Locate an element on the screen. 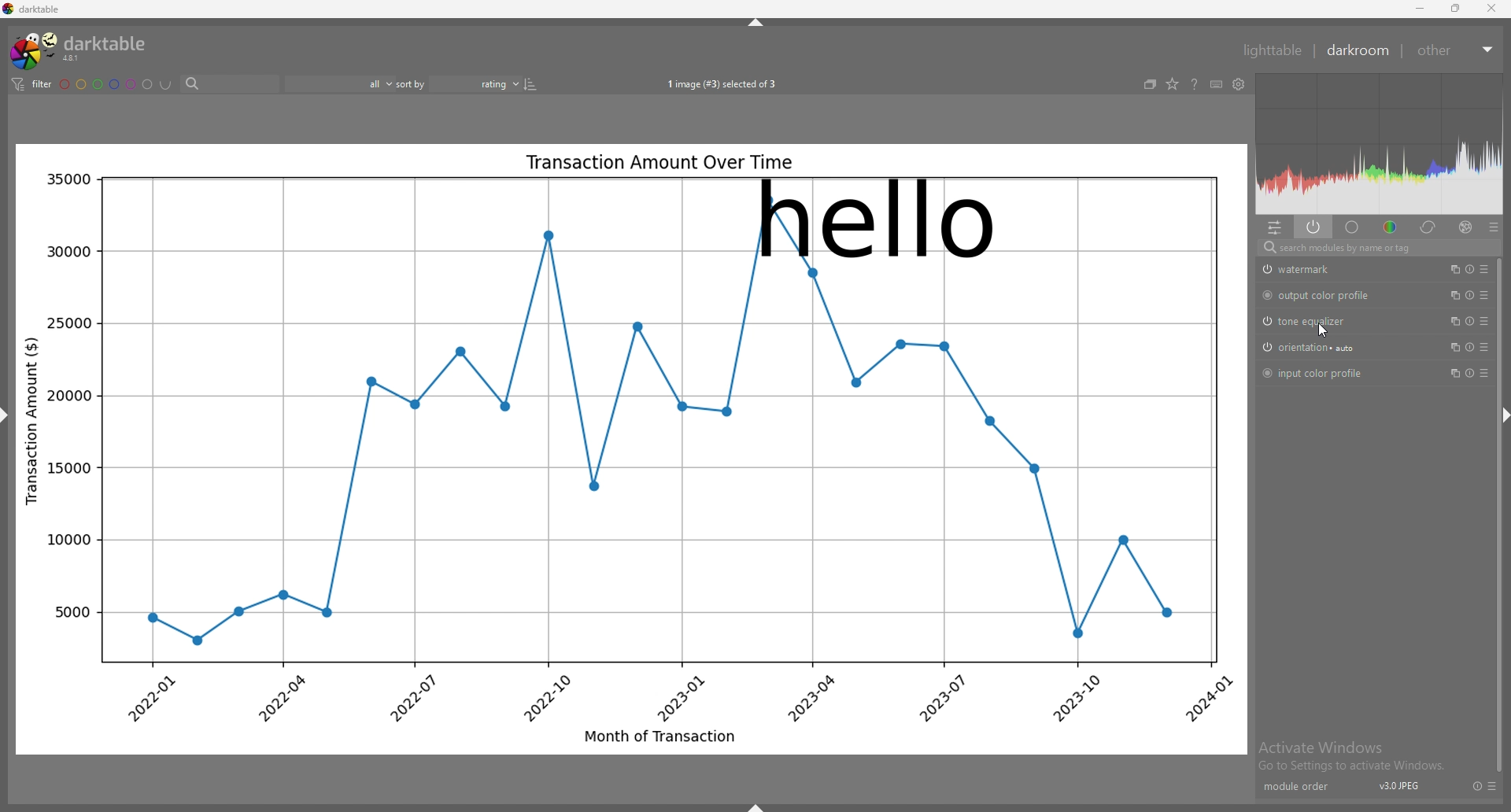 The width and height of the screenshot is (1511, 812). 30000 is located at coordinates (66, 252).